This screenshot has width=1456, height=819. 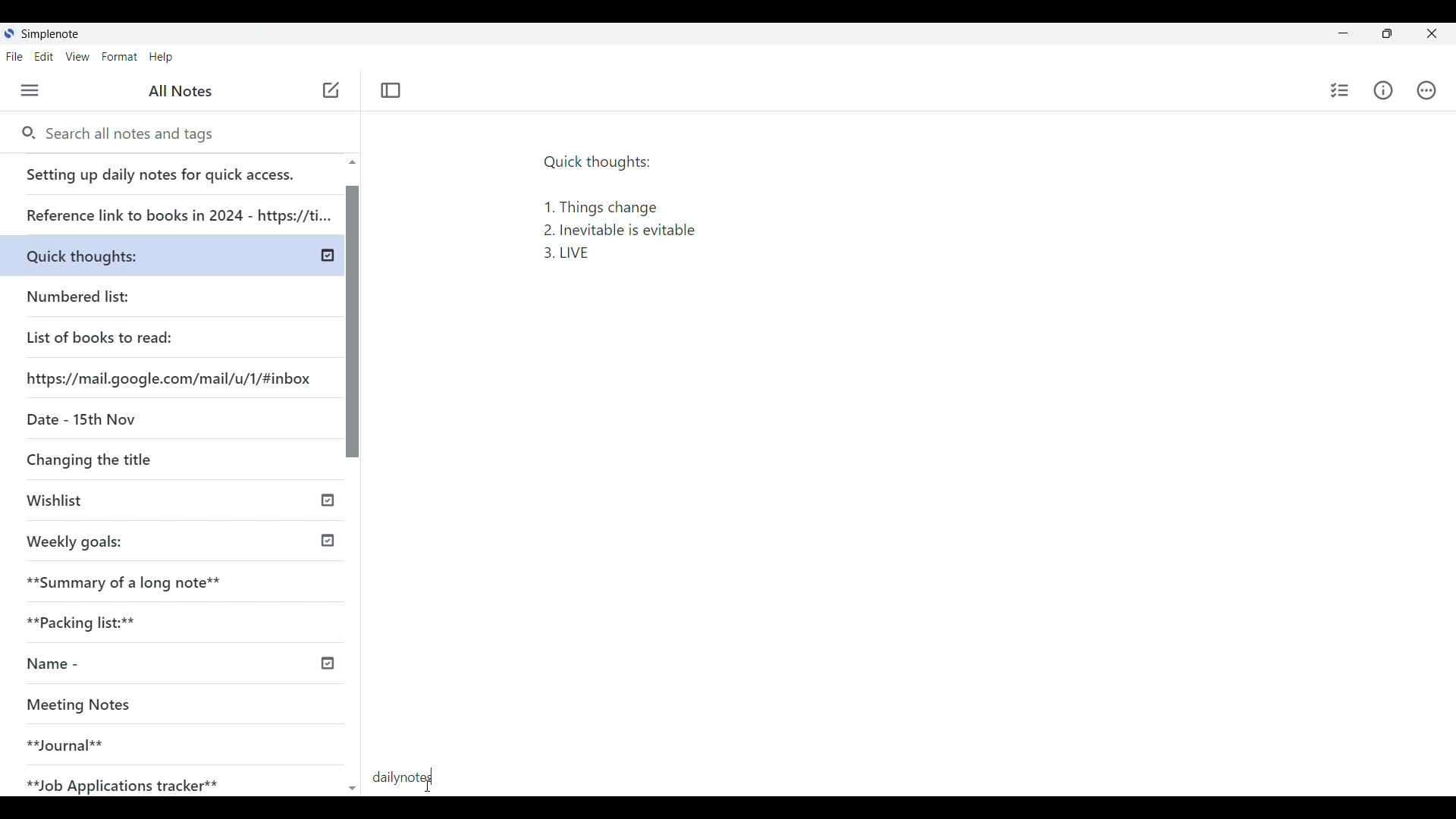 I want to click on Close , so click(x=1432, y=33).